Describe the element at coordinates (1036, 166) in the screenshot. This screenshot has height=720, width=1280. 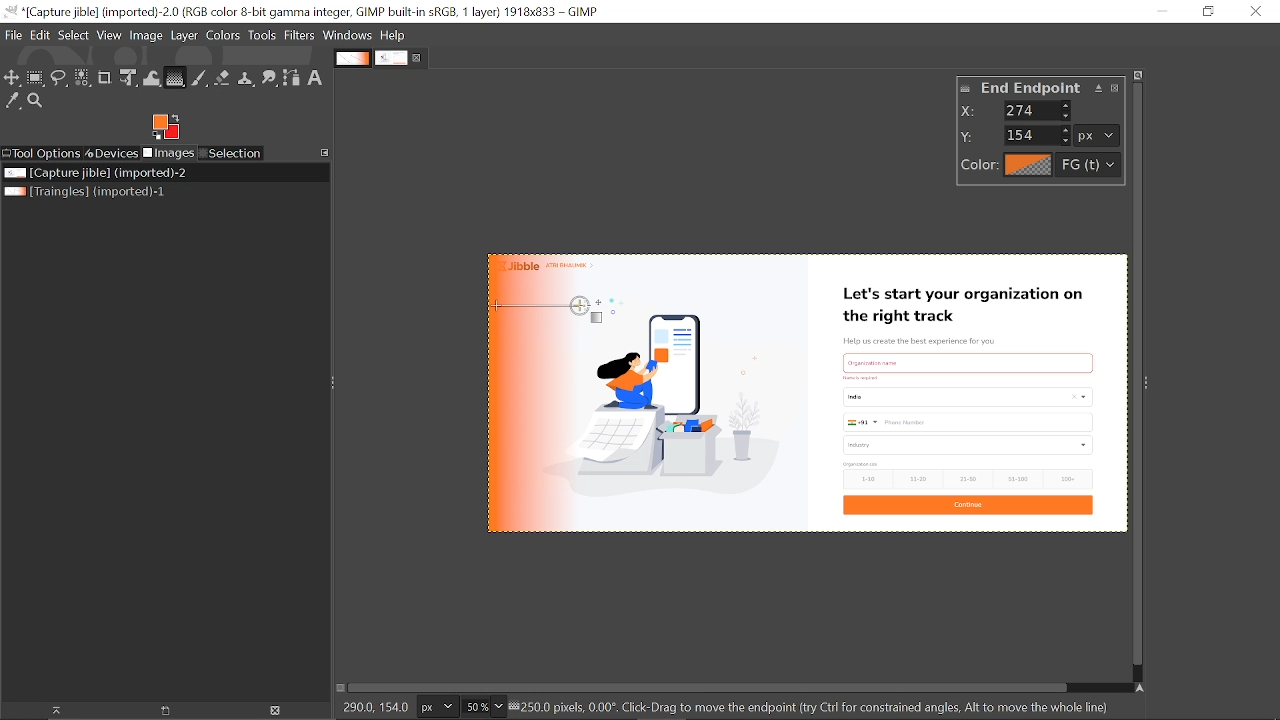
I see `color` at that location.